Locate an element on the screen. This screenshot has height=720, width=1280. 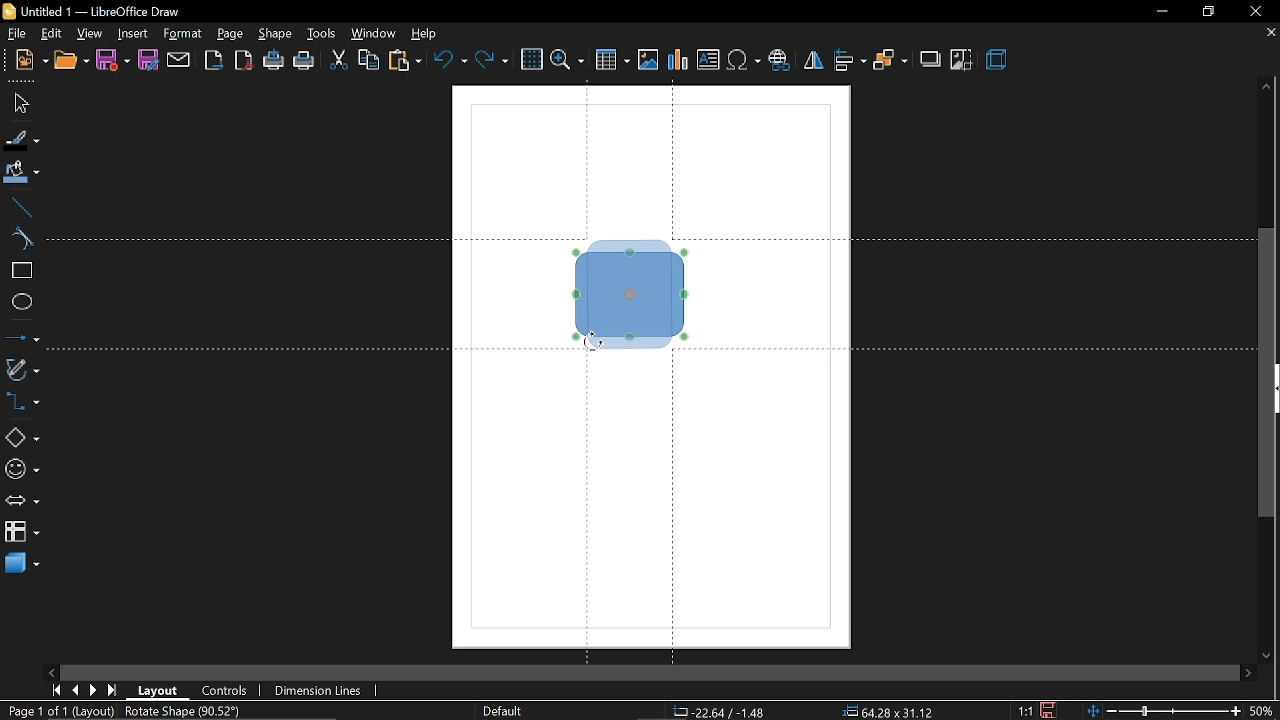
arrows is located at coordinates (21, 500).